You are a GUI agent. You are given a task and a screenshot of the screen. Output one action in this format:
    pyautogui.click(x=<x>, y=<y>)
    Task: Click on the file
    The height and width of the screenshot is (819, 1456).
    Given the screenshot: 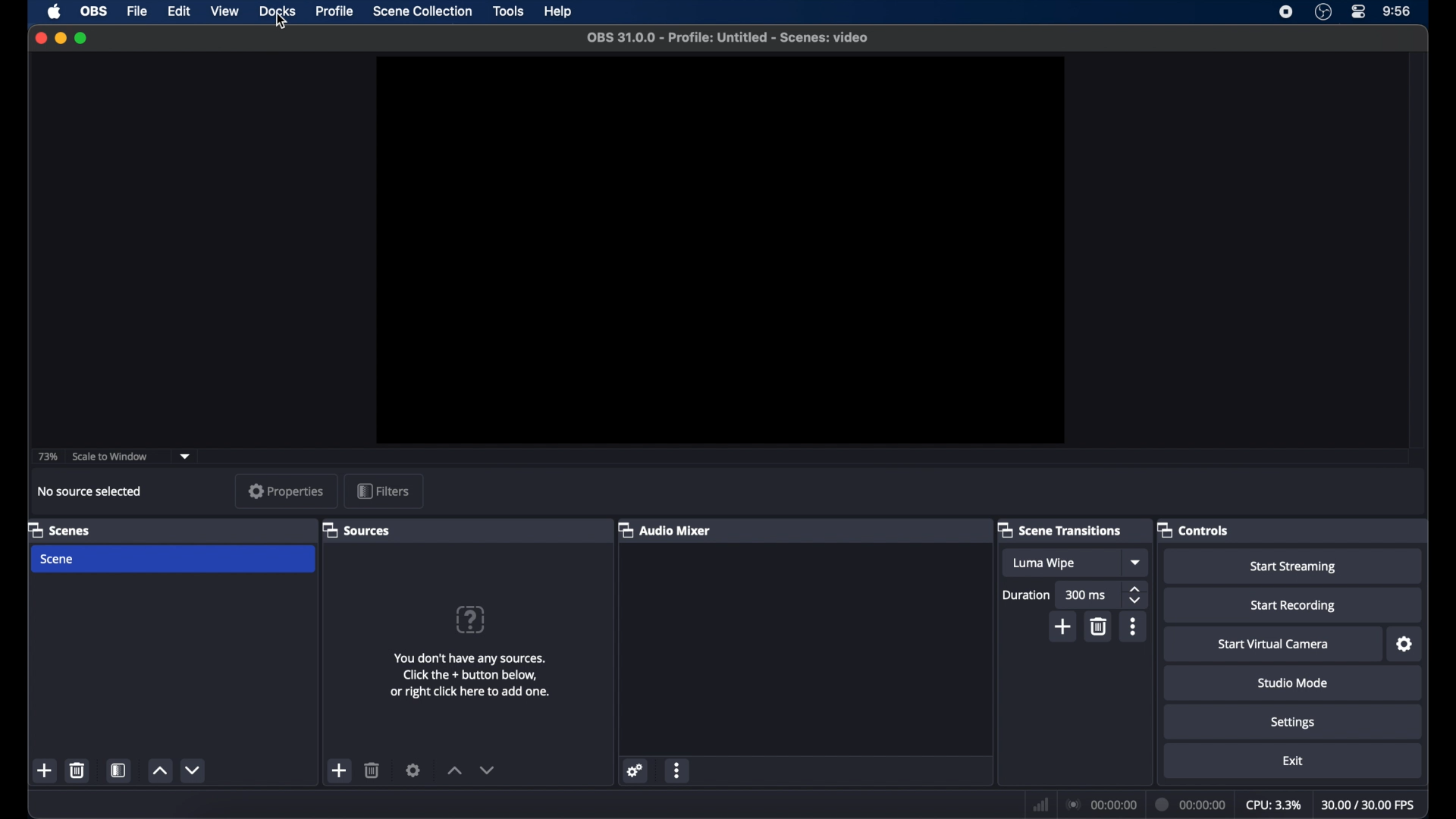 What is the action you would take?
    pyautogui.click(x=137, y=12)
    